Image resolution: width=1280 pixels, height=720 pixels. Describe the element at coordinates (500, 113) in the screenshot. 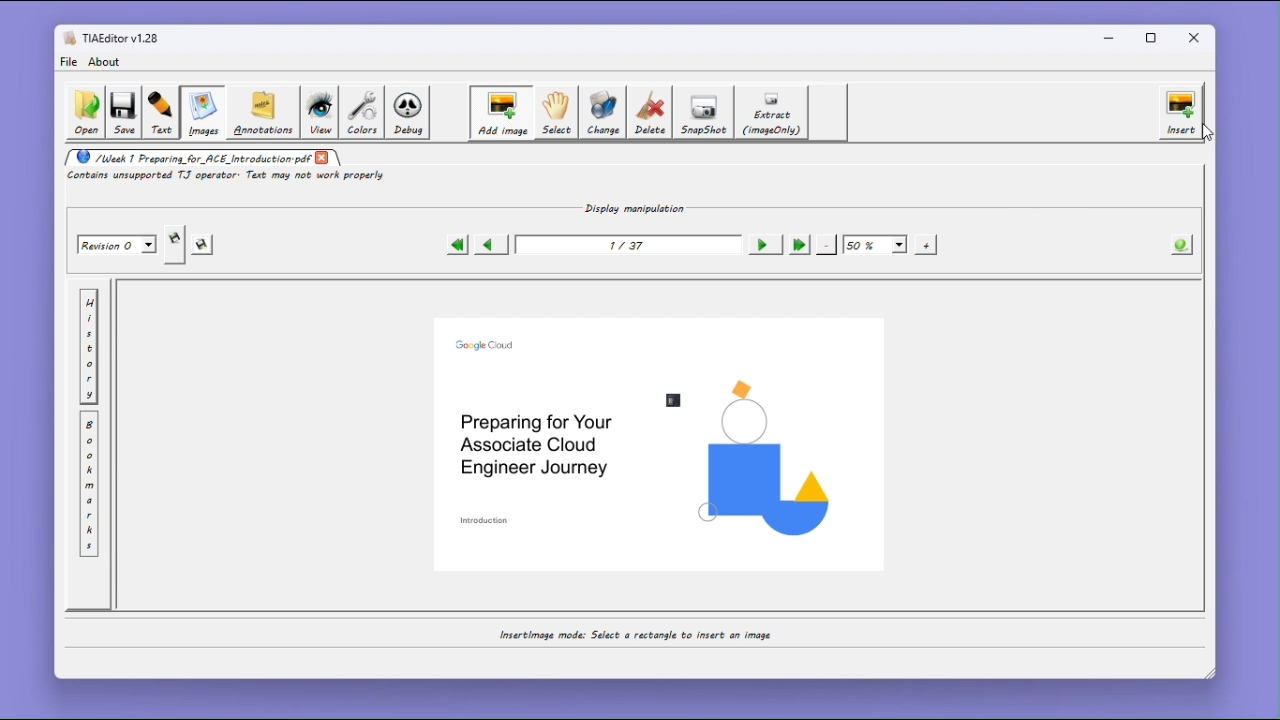

I see `Add image` at that location.